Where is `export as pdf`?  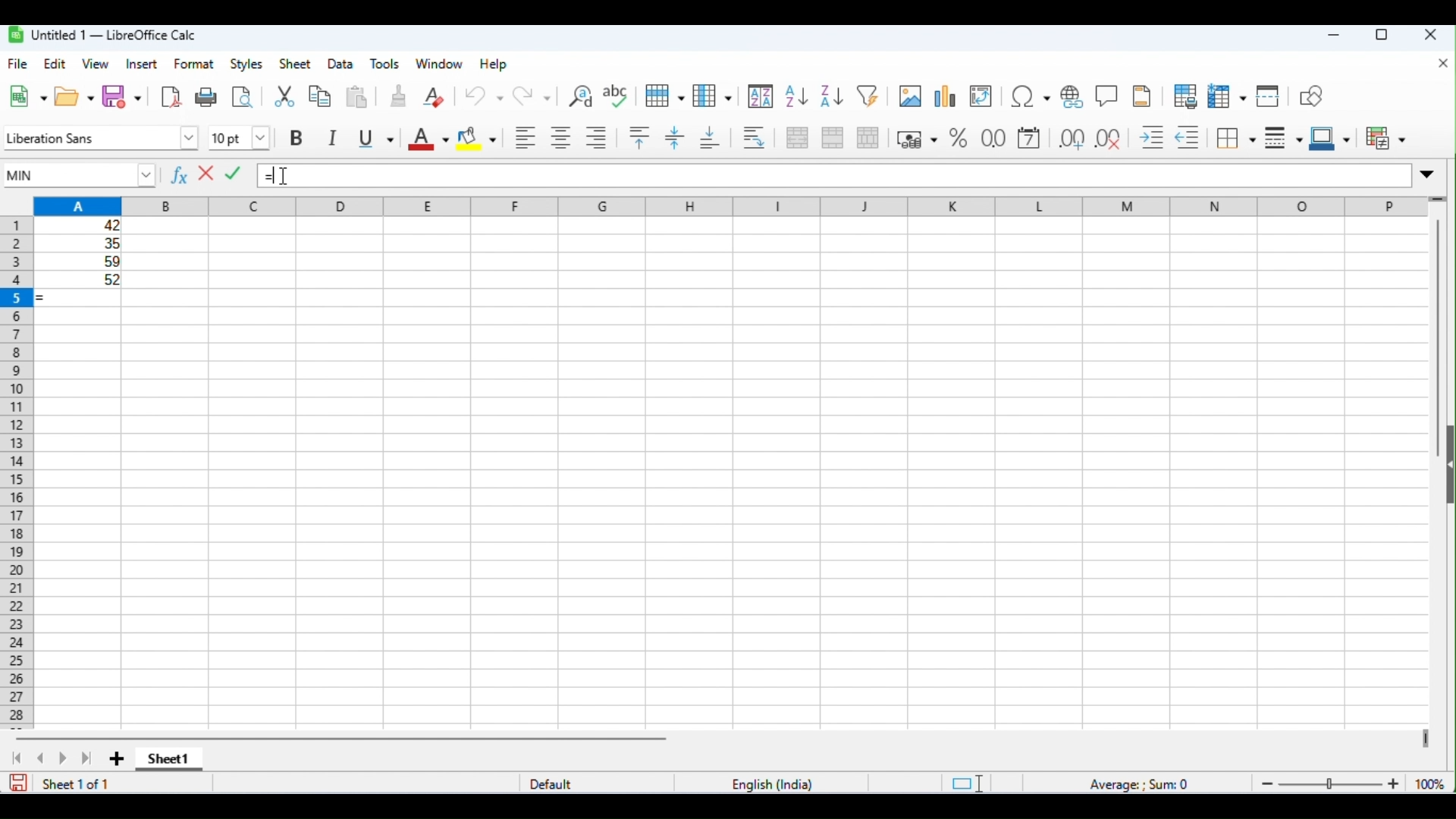
export as pdf is located at coordinates (171, 97).